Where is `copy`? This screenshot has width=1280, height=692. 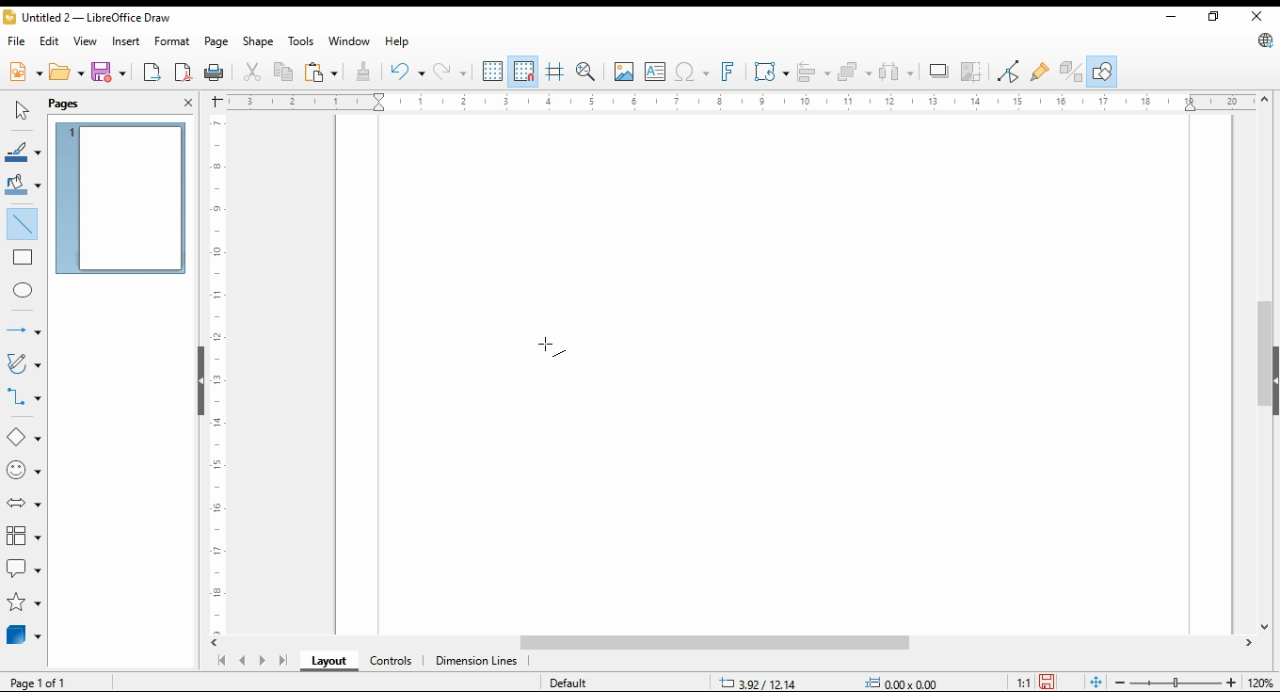
copy is located at coordinates (285, 71).